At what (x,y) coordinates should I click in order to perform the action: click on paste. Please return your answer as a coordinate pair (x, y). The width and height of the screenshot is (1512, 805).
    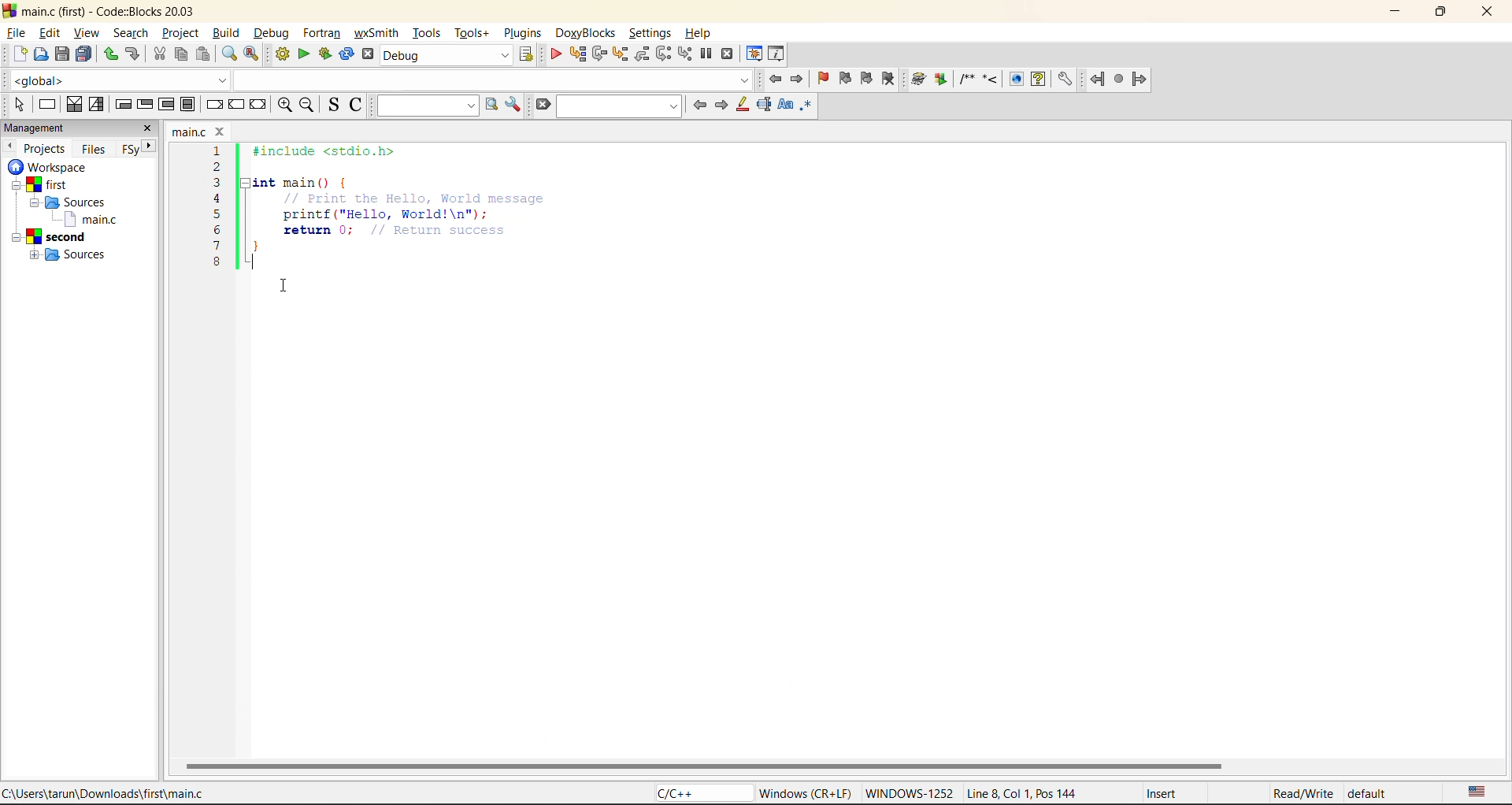
    Looking at the image, I should click on (205, 57).